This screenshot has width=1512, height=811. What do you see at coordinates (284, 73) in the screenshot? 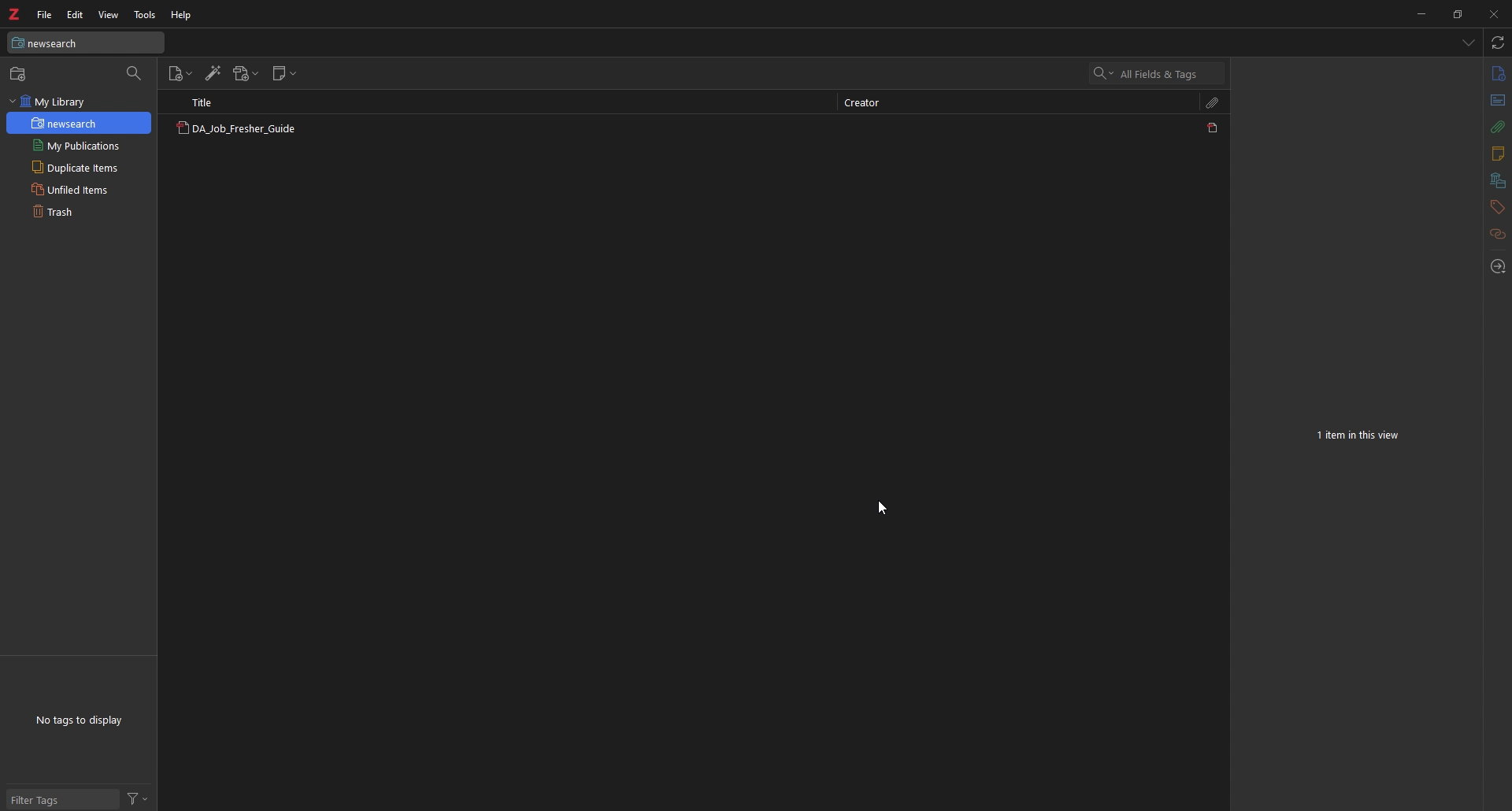
I see `new note` at bounding box center [284, 73].